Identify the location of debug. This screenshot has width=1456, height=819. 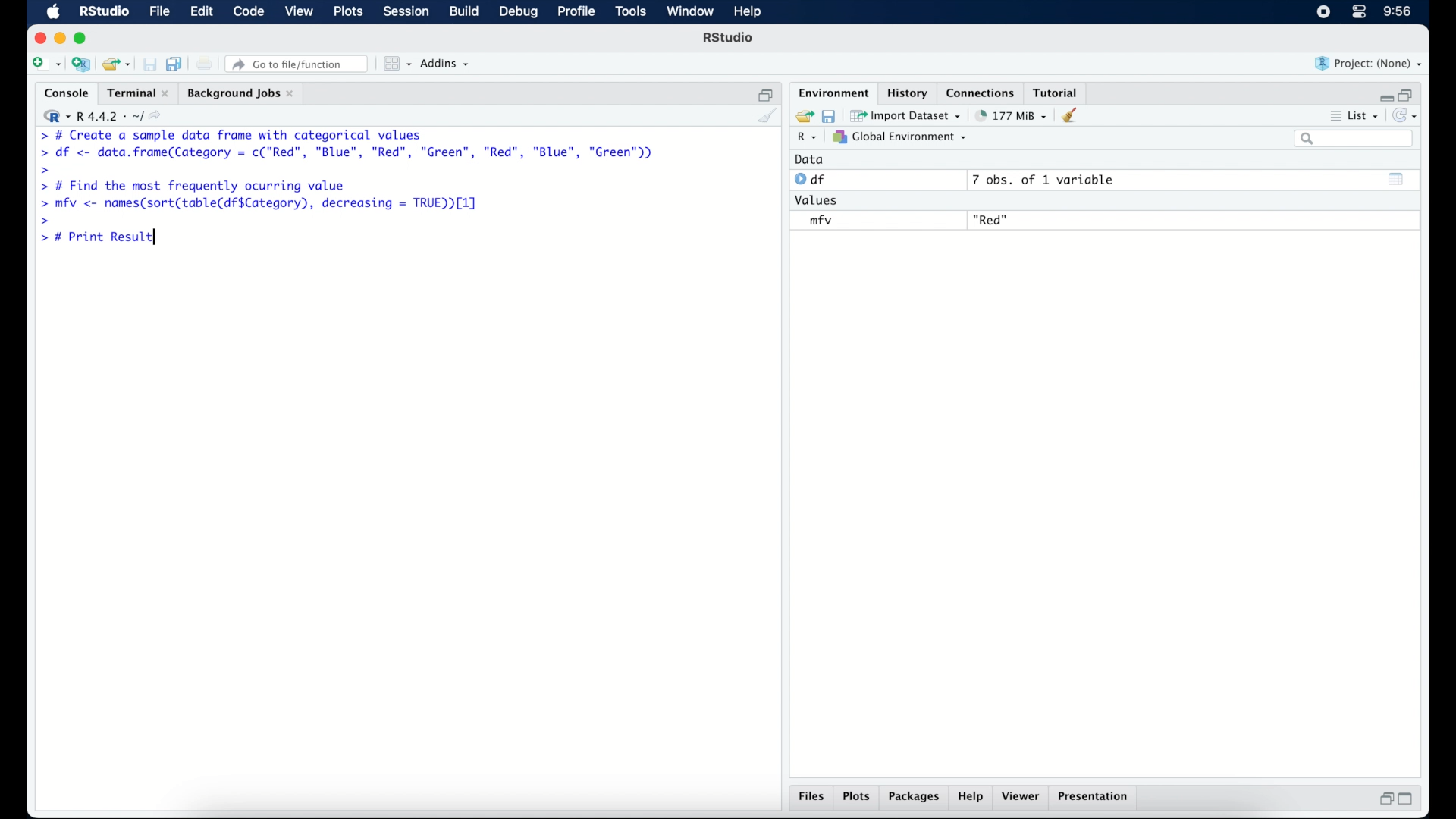
(517, 13).